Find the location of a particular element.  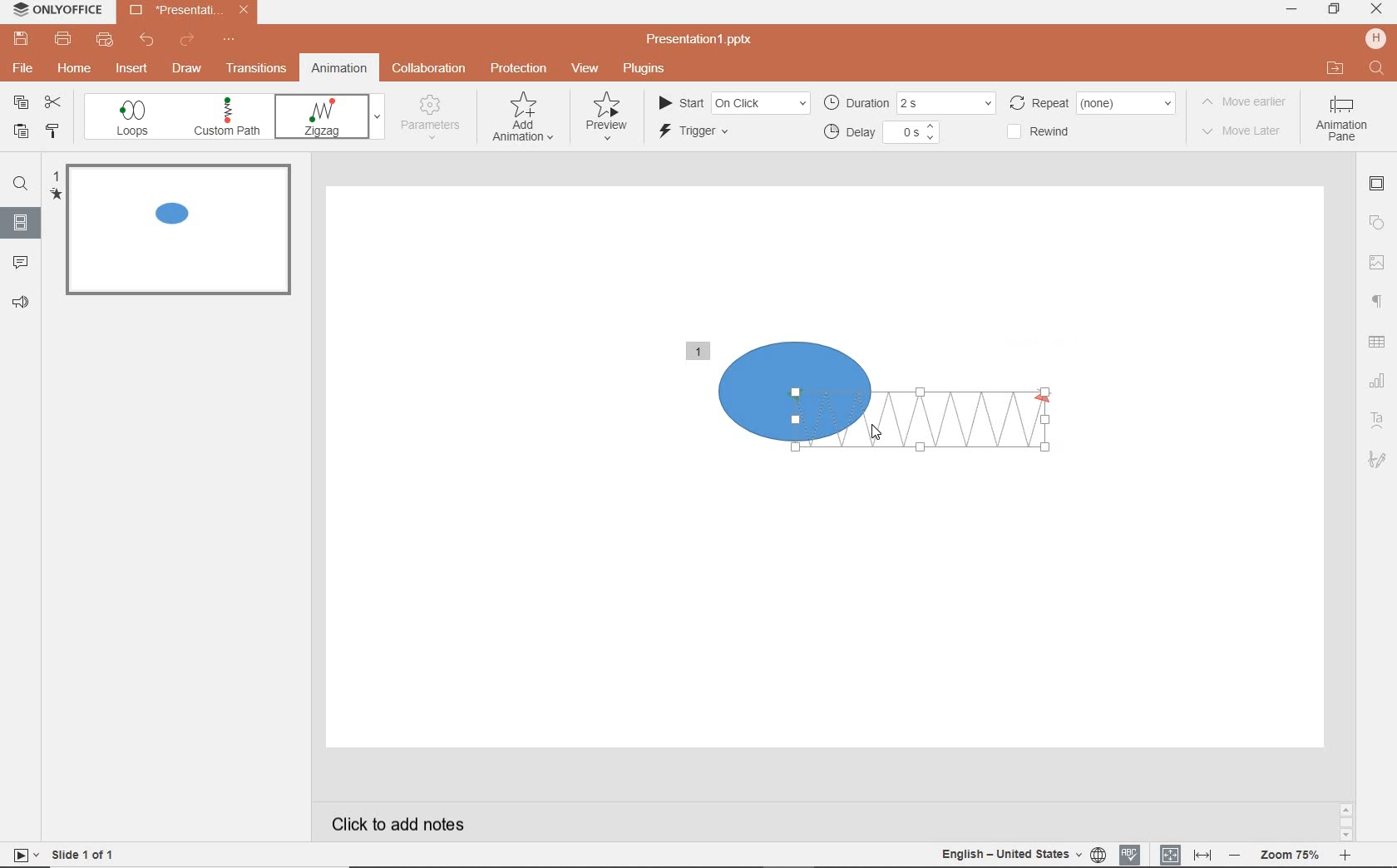

customize quick access toolbar is located at coordinates (230, 41).